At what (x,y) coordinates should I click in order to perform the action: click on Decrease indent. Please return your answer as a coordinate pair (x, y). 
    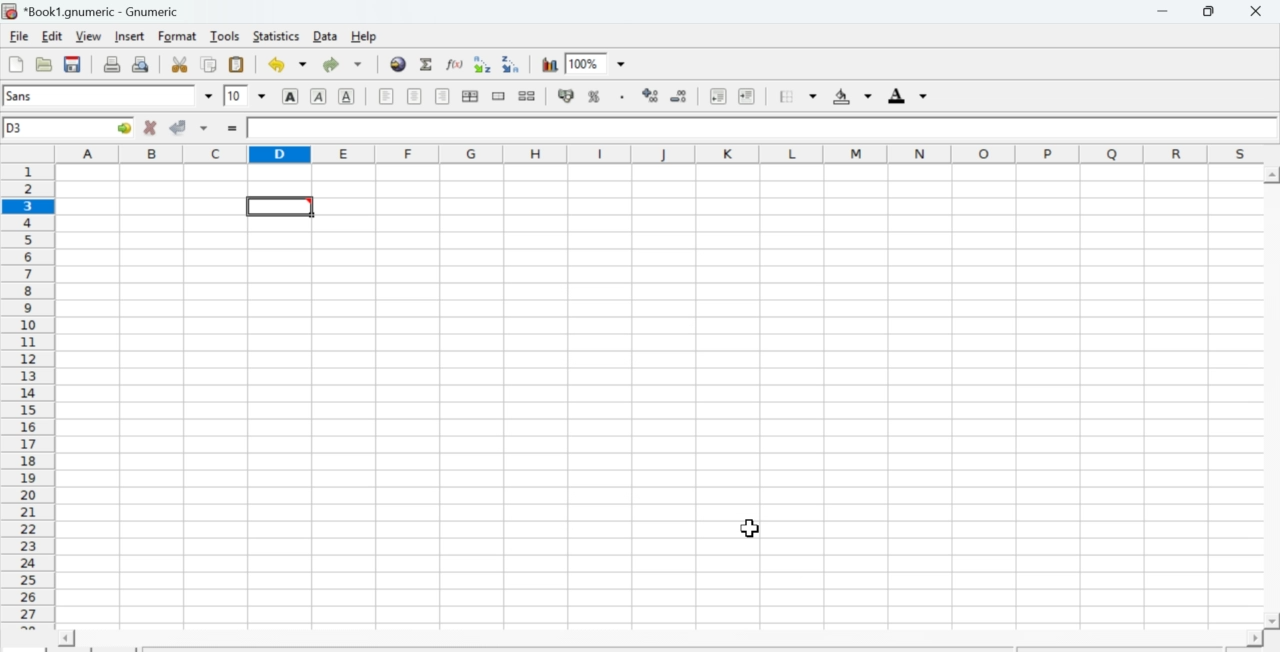
    Looking at the image, I should click on (717, 96).